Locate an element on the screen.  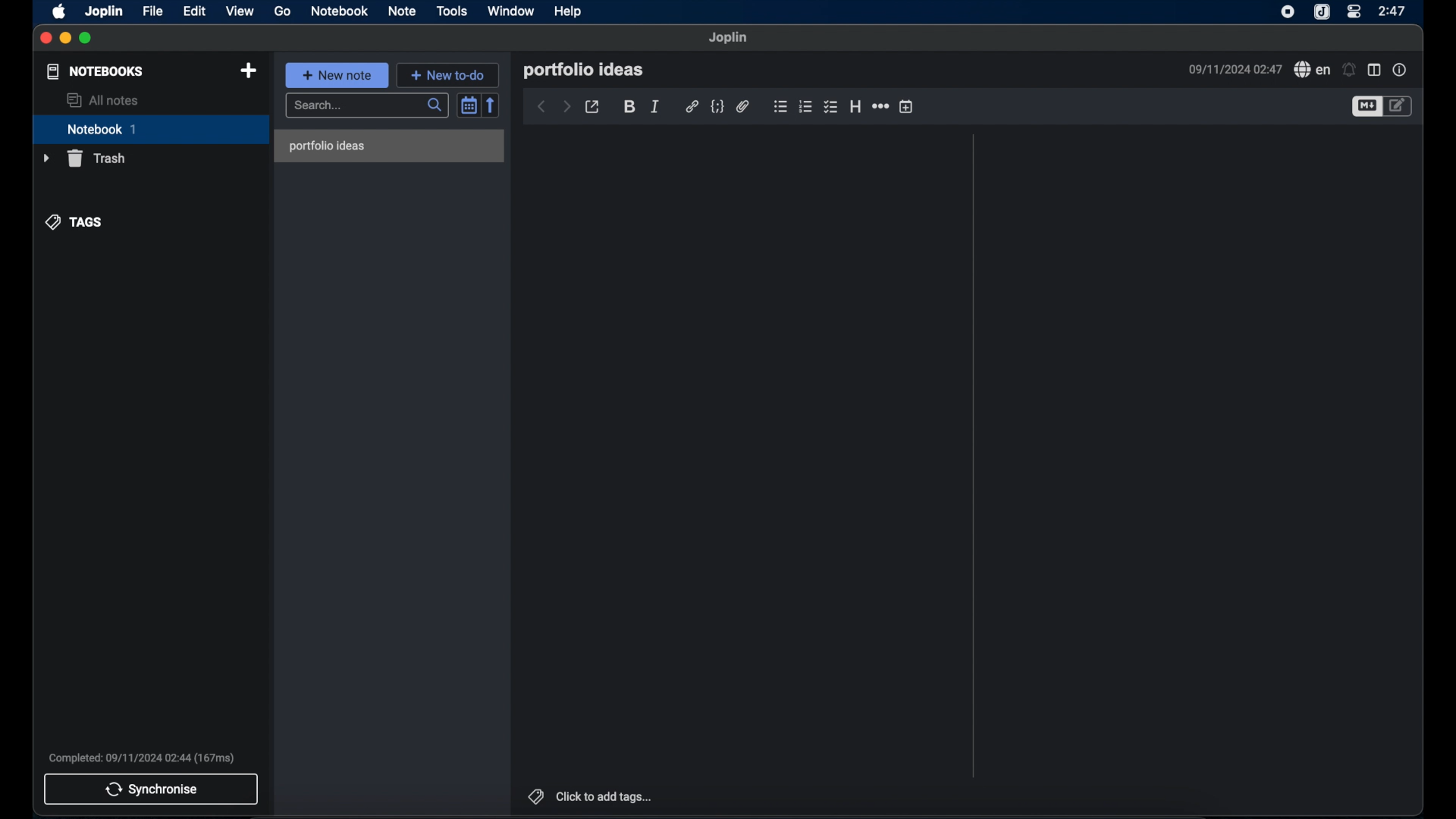
note properties is located at coordinates (1399, 69).